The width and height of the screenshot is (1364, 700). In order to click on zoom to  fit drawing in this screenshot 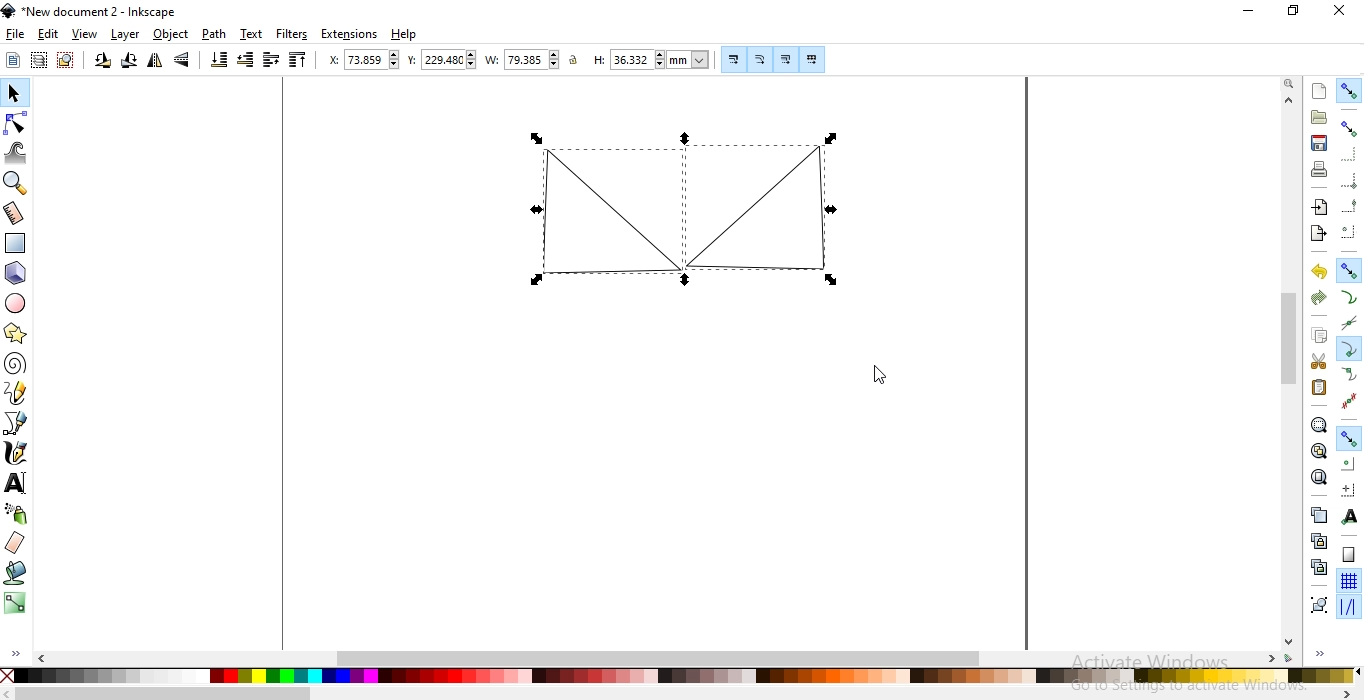, I will do `click(1316, 452)`.